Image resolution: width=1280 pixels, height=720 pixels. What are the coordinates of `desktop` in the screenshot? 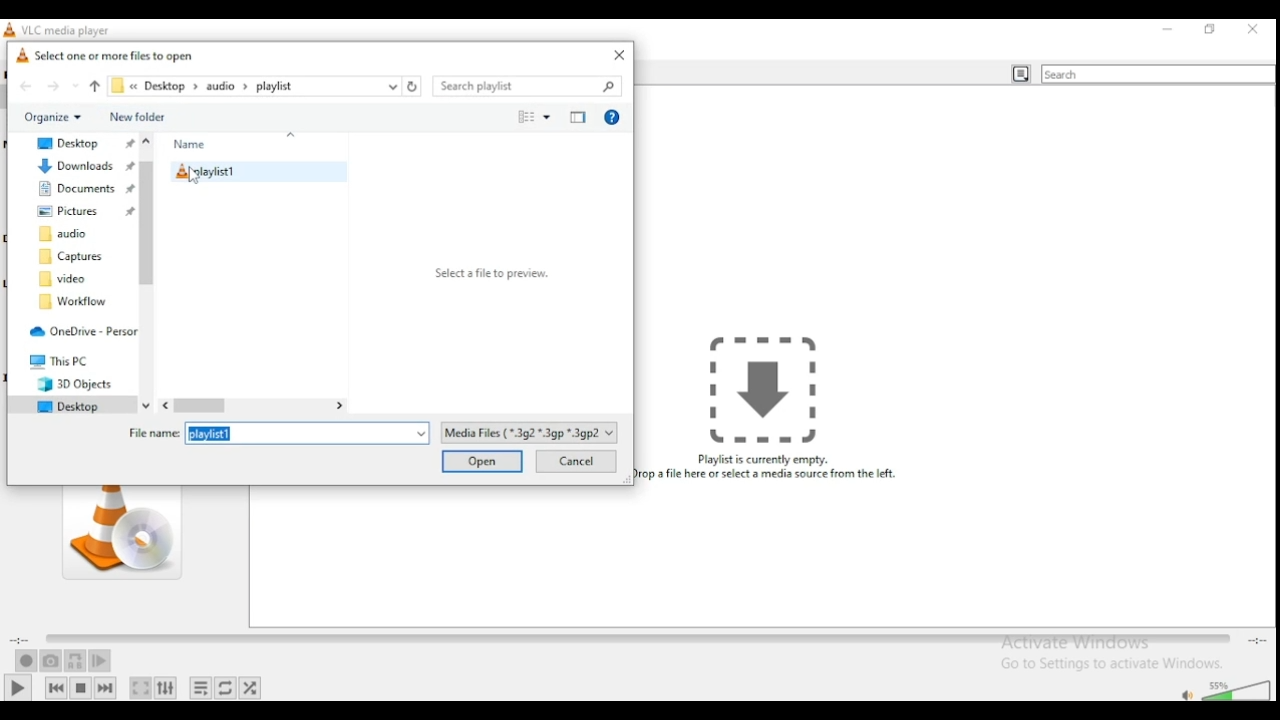 It's located at (165, 87).